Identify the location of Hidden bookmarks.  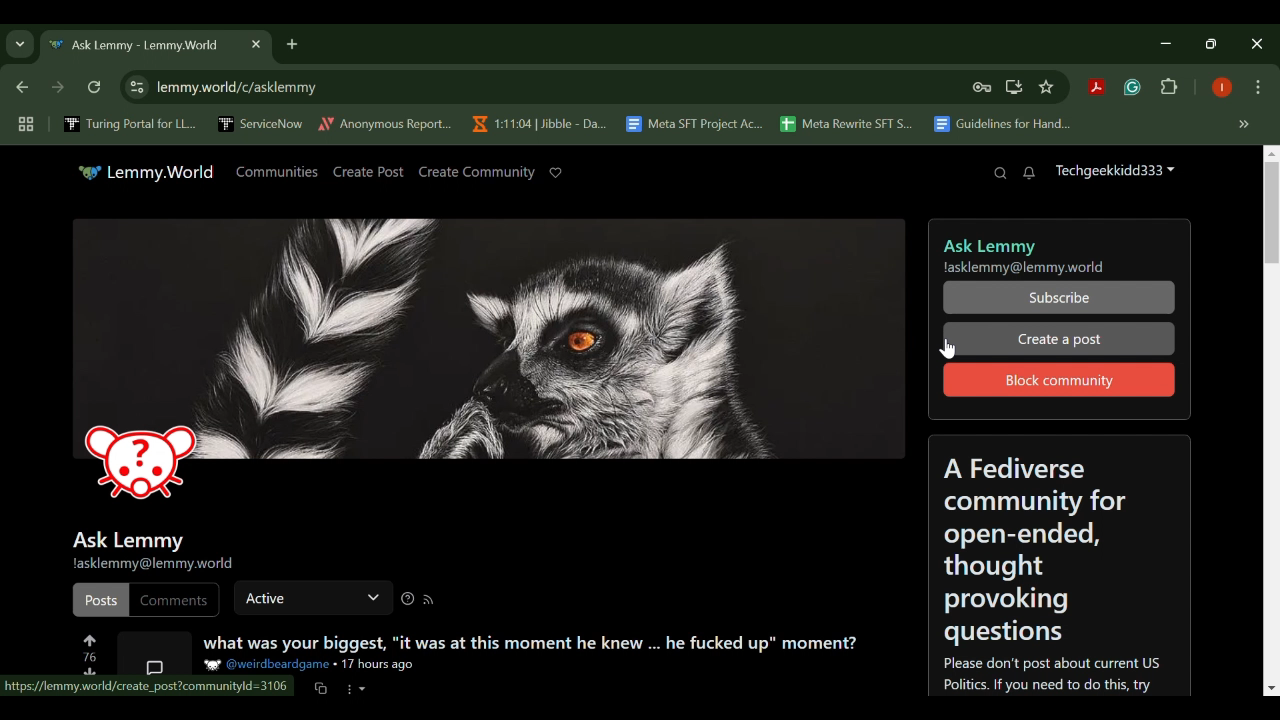
(1246, 125).